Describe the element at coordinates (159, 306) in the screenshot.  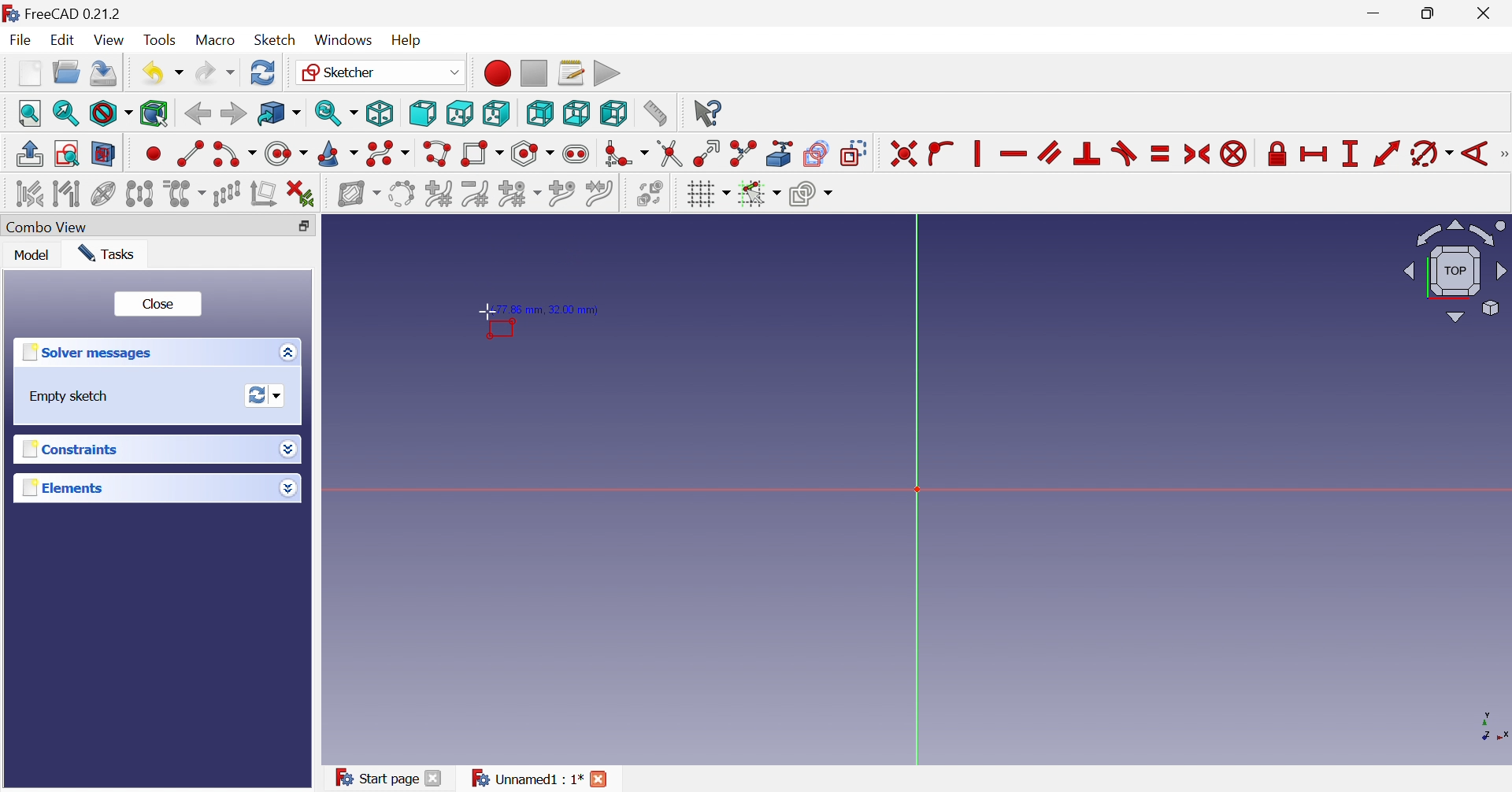
I see `Close` at that location.